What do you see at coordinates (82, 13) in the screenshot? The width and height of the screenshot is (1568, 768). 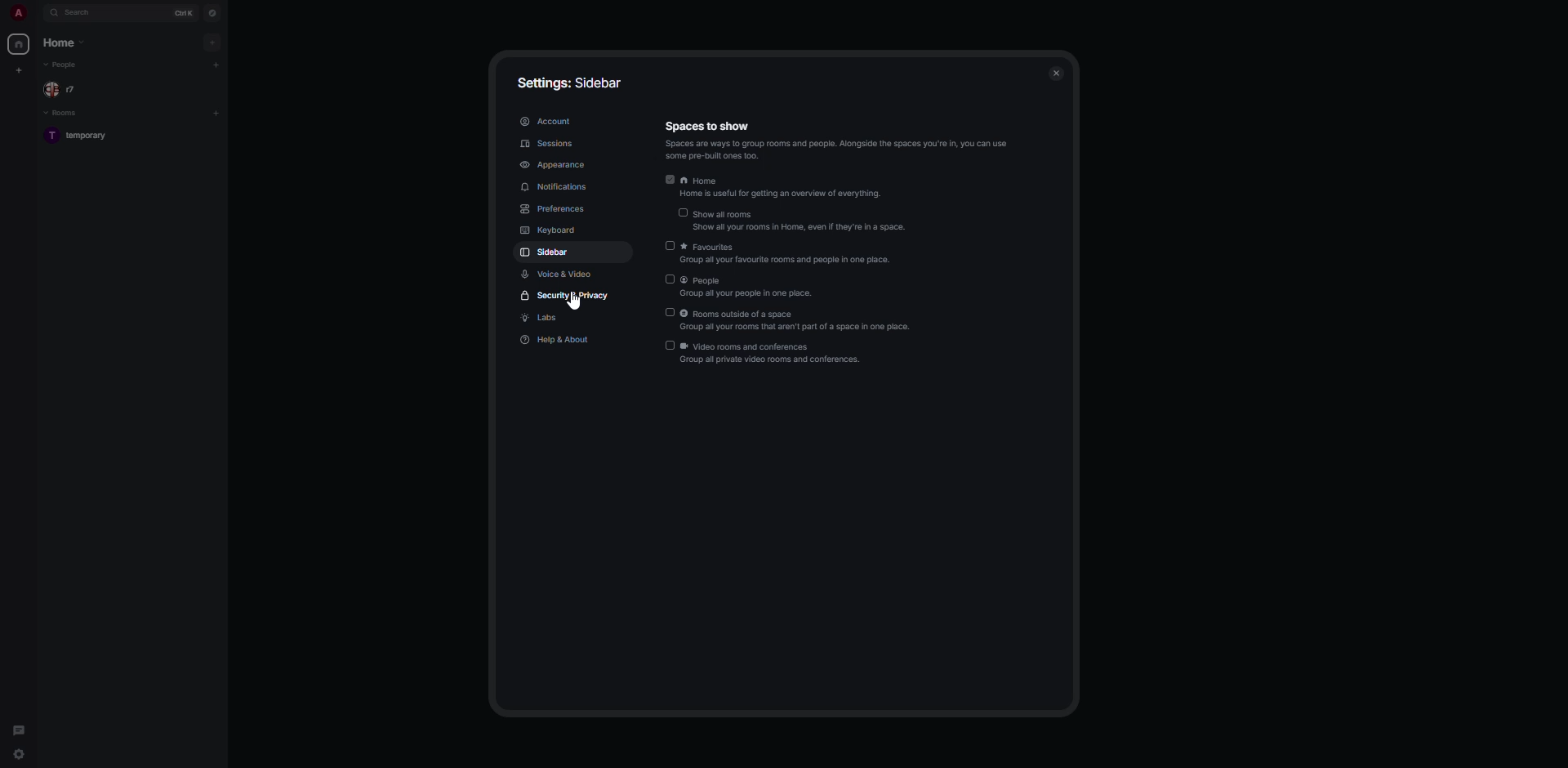 I see `search` at bounding box center [82, 13].